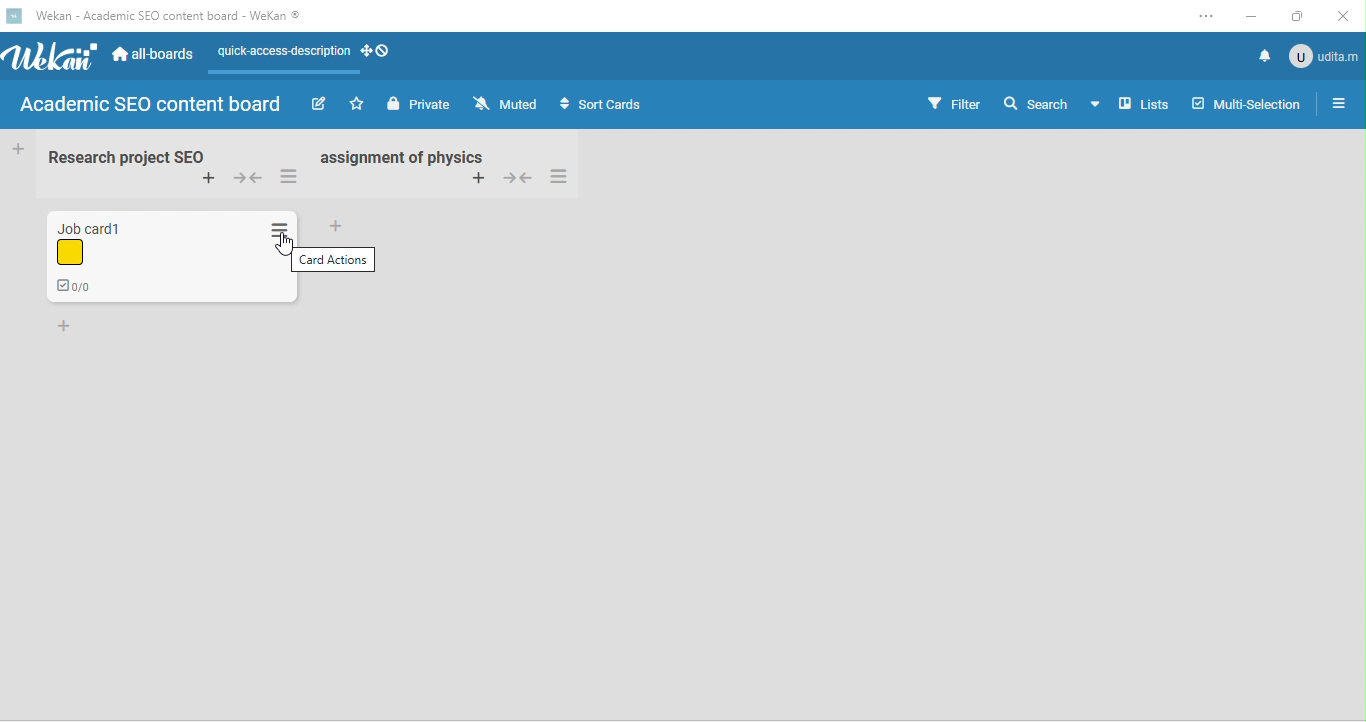 This screenshot has width=1366, height=722. I want to click on private, so click(421, 105).